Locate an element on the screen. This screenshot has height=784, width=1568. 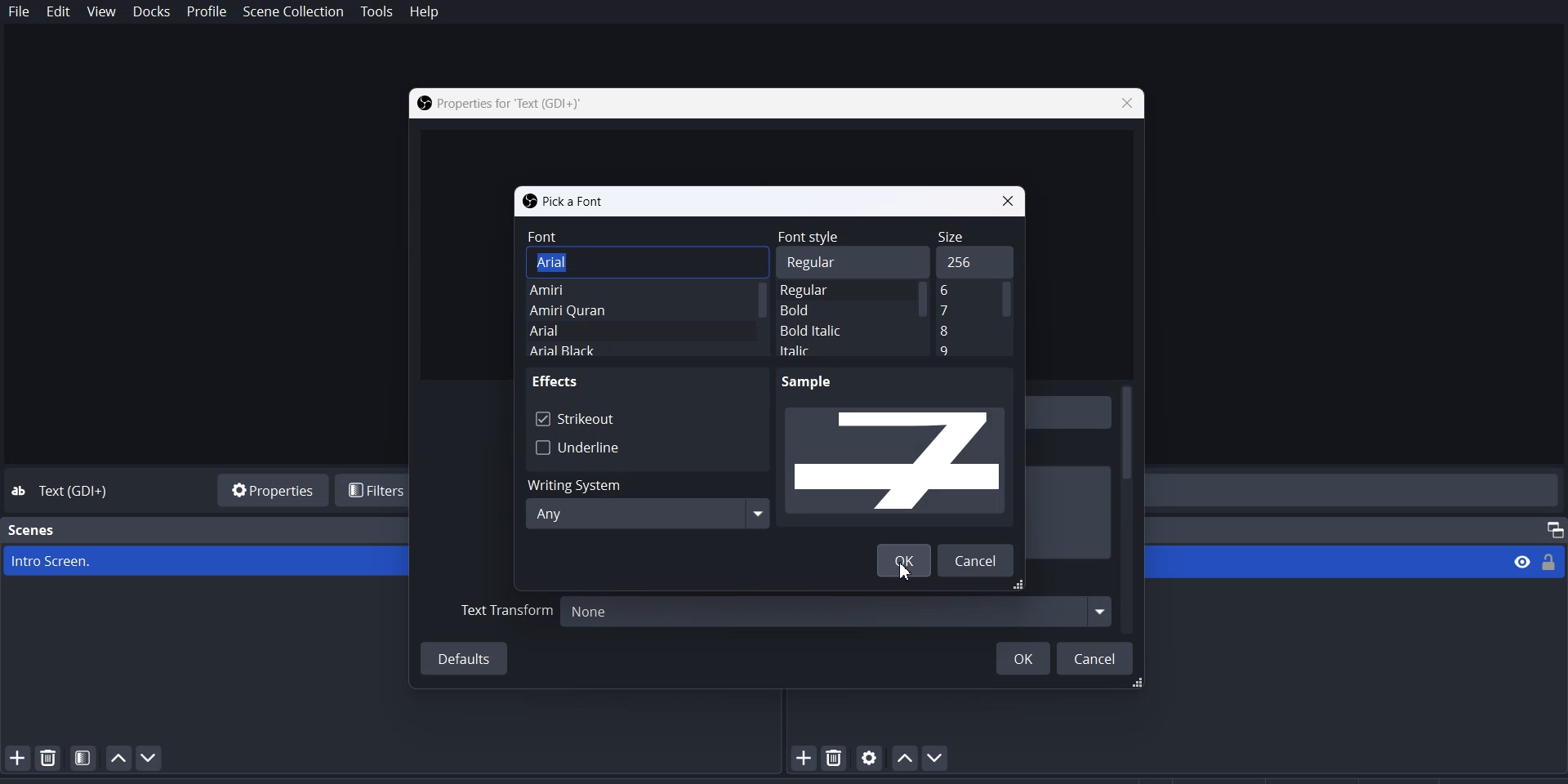
Any is located at coordinates (647, 514).